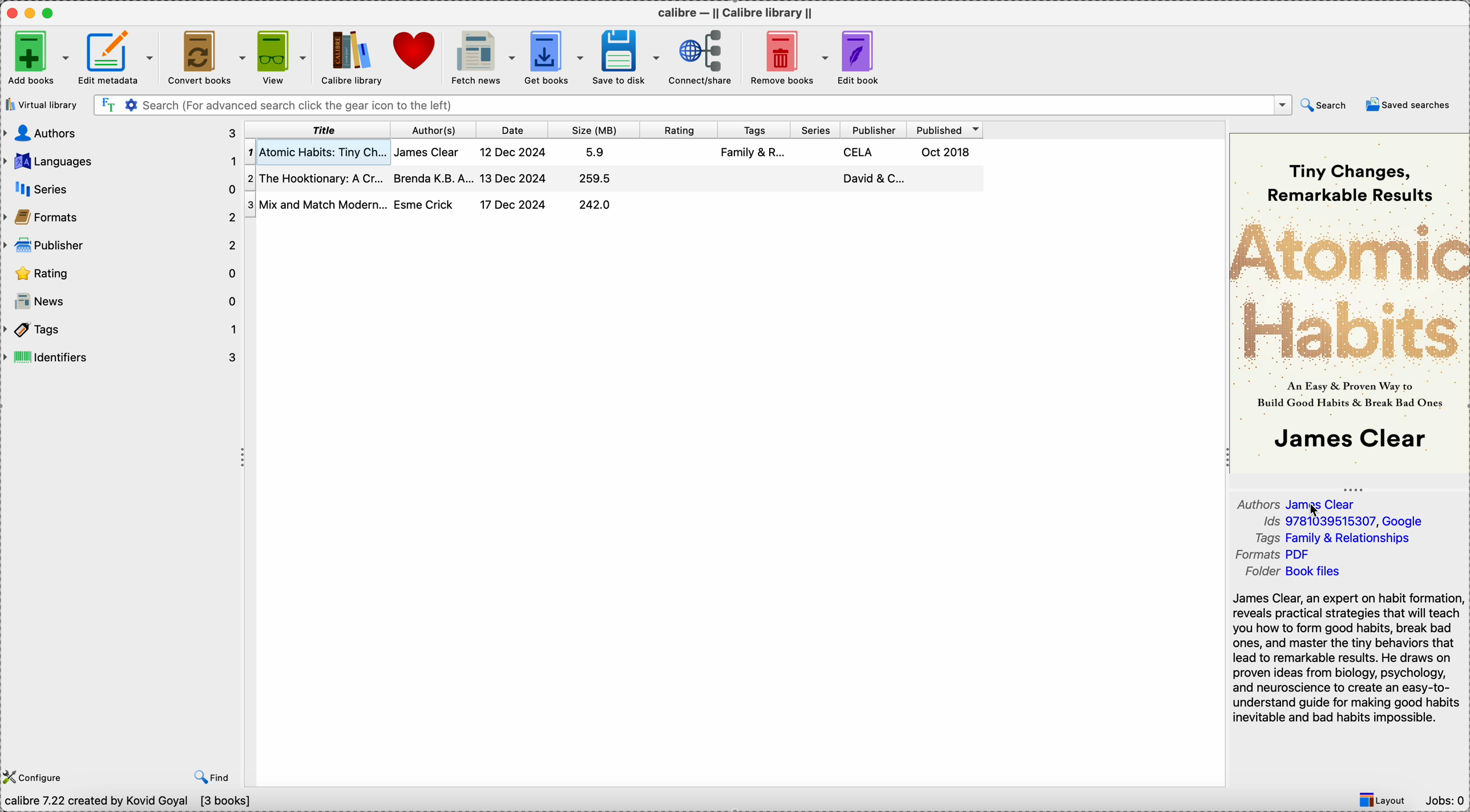 This screenshot has height=812, width=1470. Describe the element at coordinates (512, 177) in the screenshot. I see `13 Dec 2024` at that location.